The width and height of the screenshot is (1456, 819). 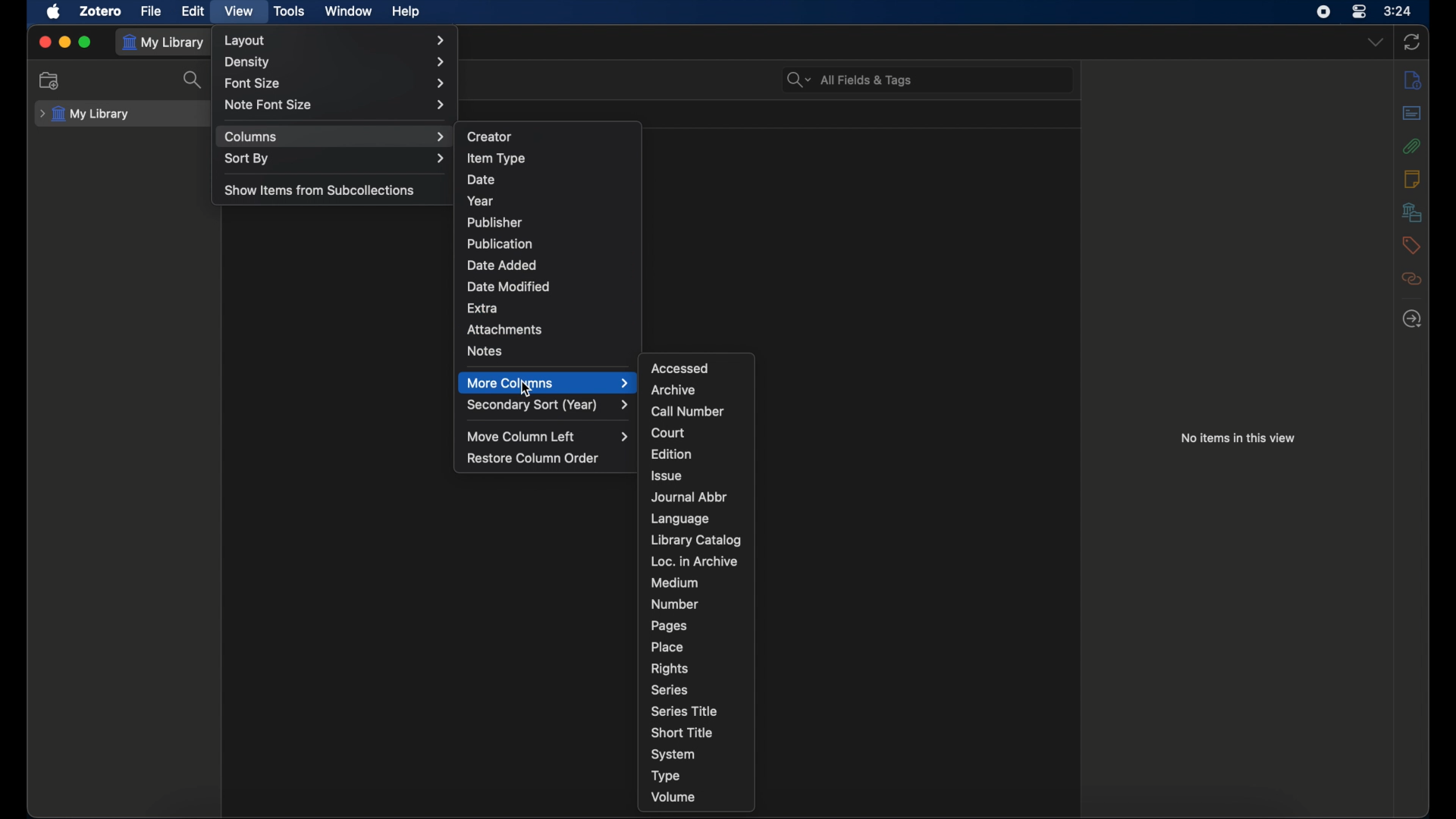 What do you see at coordinates (673, 797) in the screenshot?
I see `volume` at bounding box center [673, 797].